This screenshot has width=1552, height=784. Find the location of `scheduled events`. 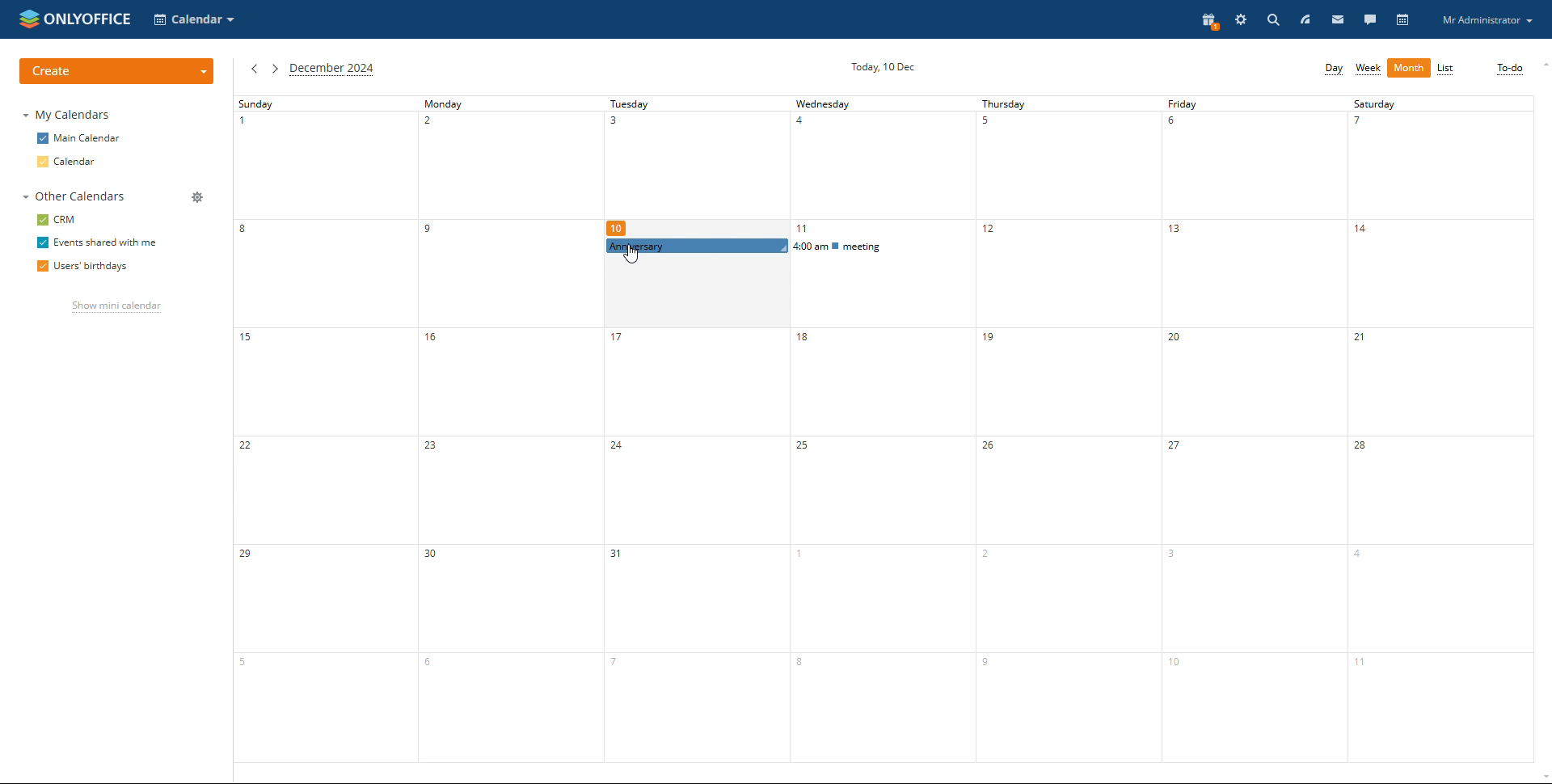

scheduled events is located at coordinates (787, 247).